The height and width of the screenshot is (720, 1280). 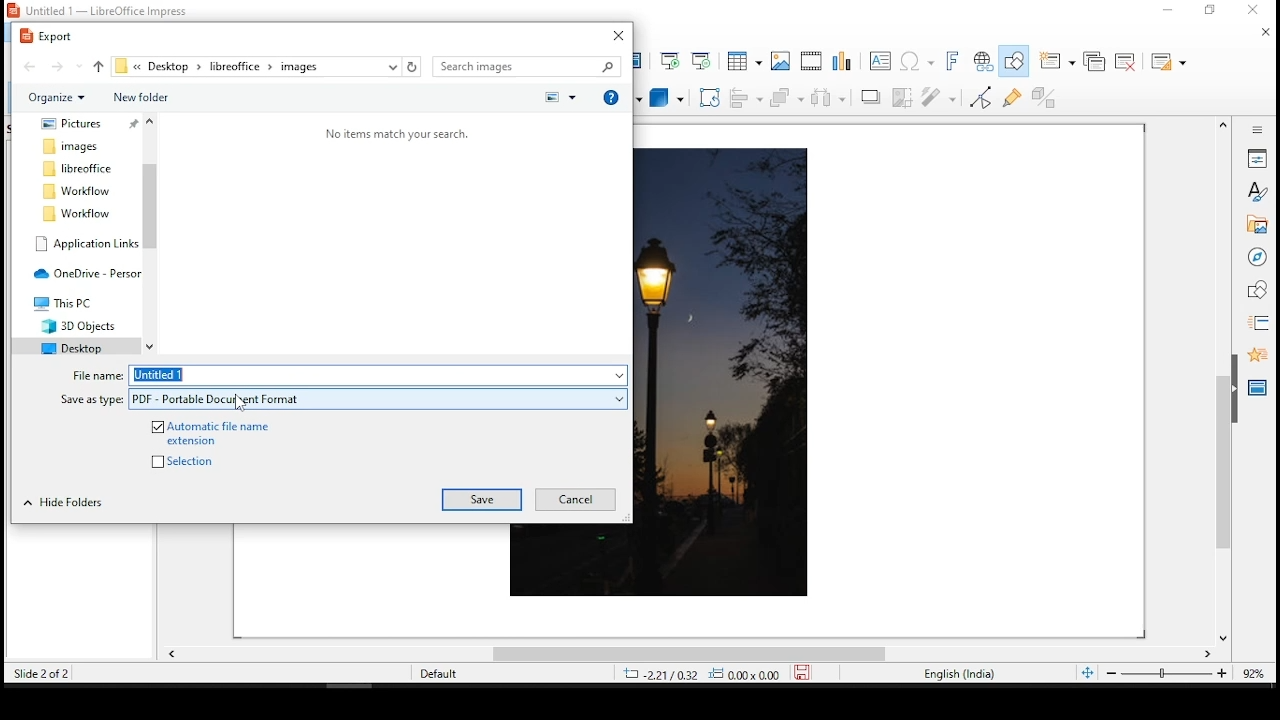 I want to click on shapes, so click(x=1259, y=293).